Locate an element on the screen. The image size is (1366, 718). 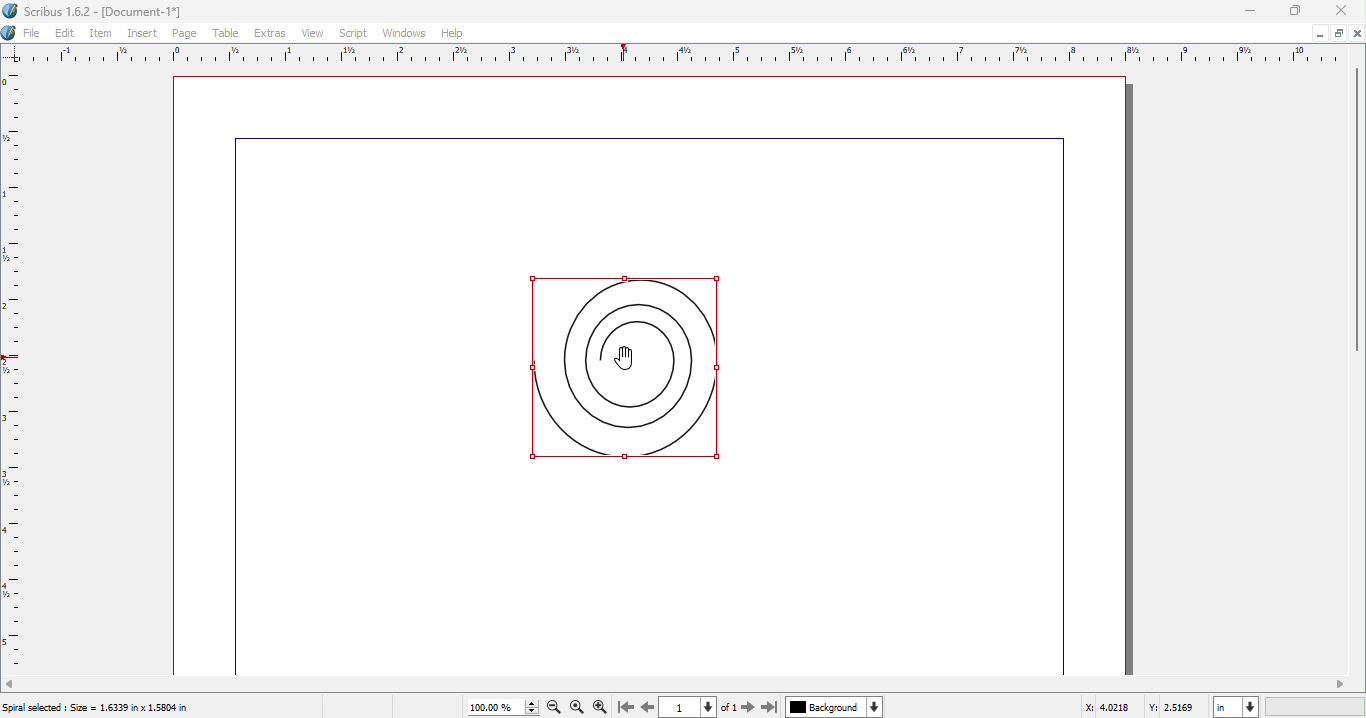
Insert is located at coordinates (146, 34).